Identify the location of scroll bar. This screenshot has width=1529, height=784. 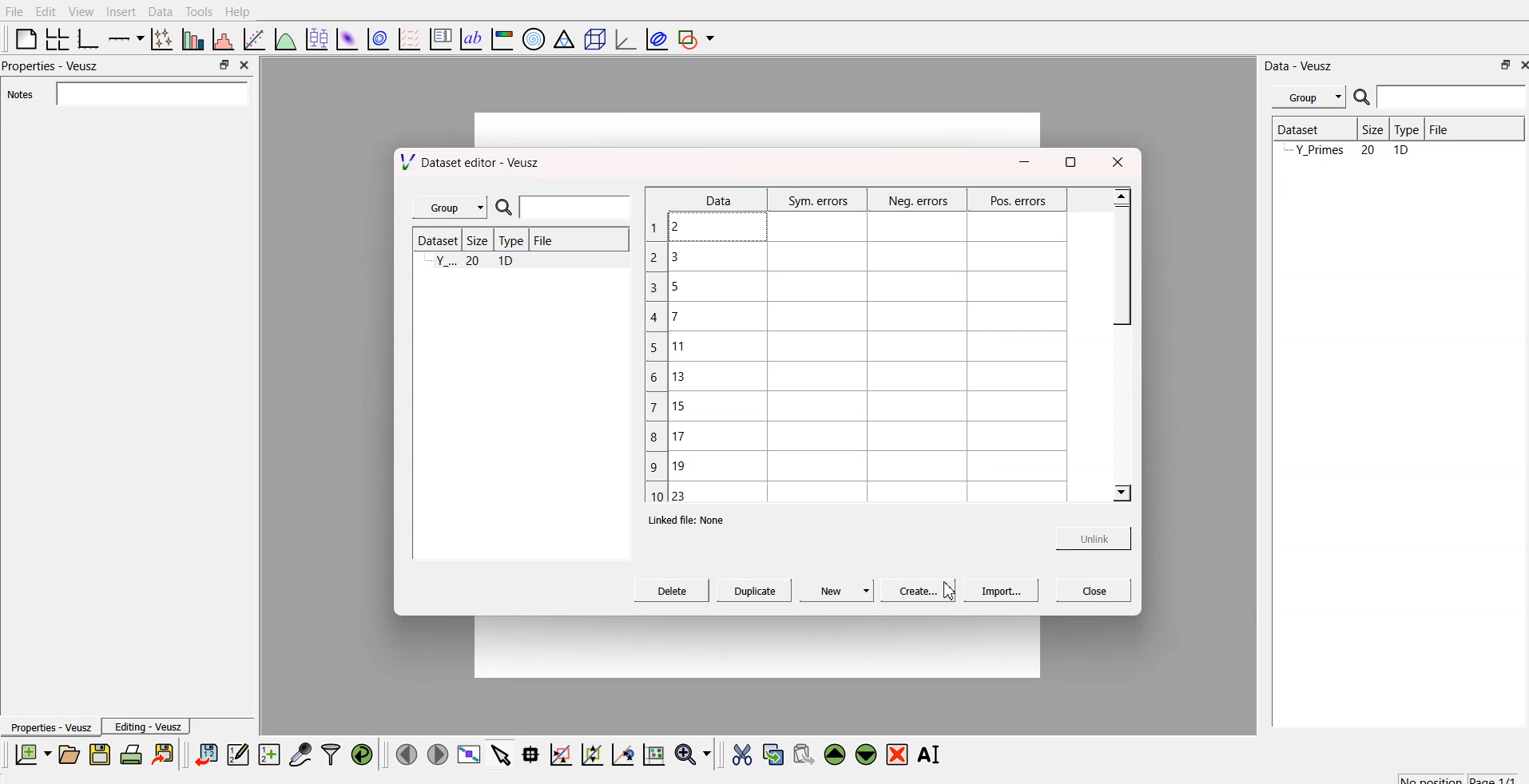
(1120, 259).